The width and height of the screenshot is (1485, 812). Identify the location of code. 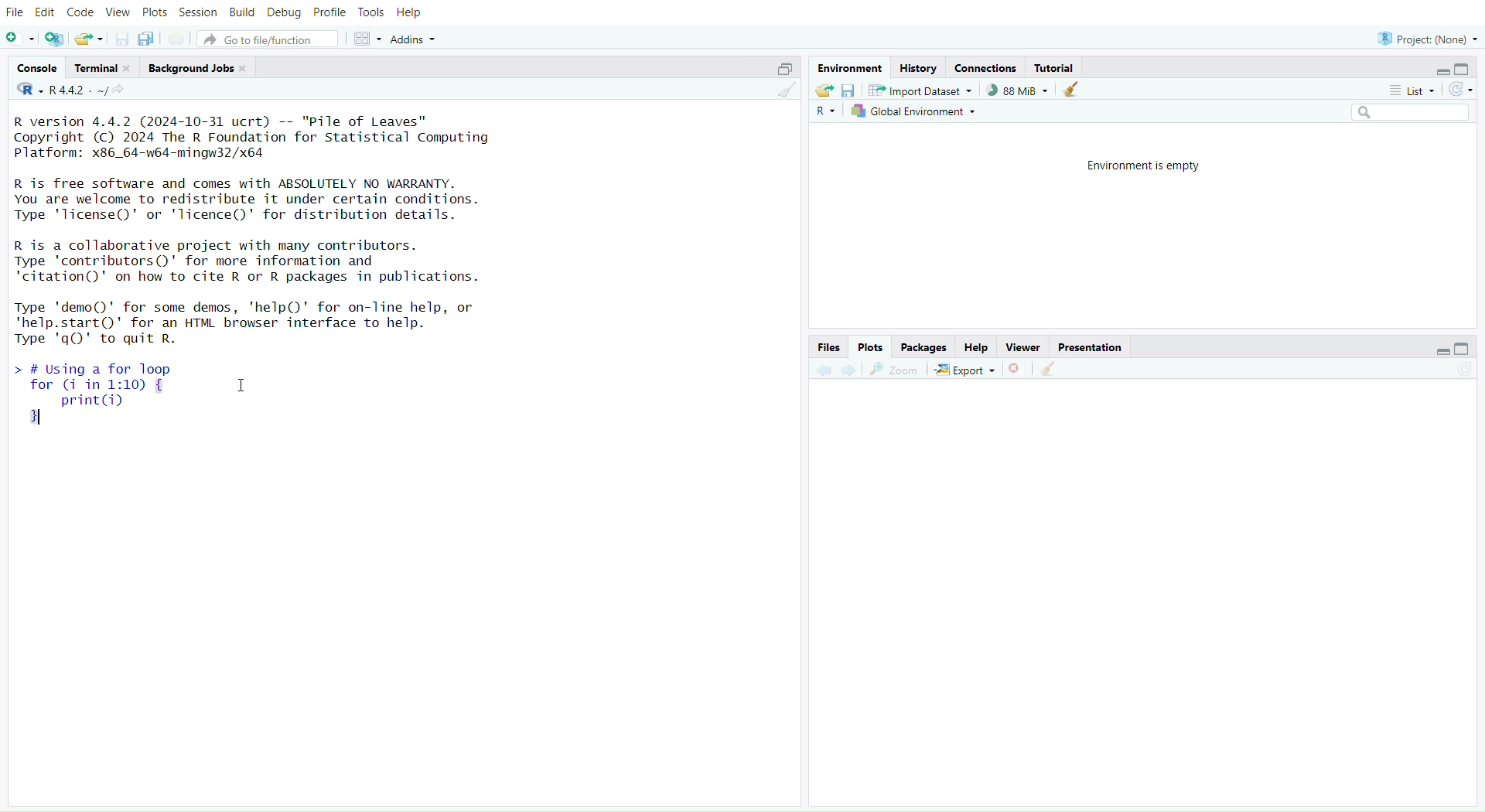
(81, 15).